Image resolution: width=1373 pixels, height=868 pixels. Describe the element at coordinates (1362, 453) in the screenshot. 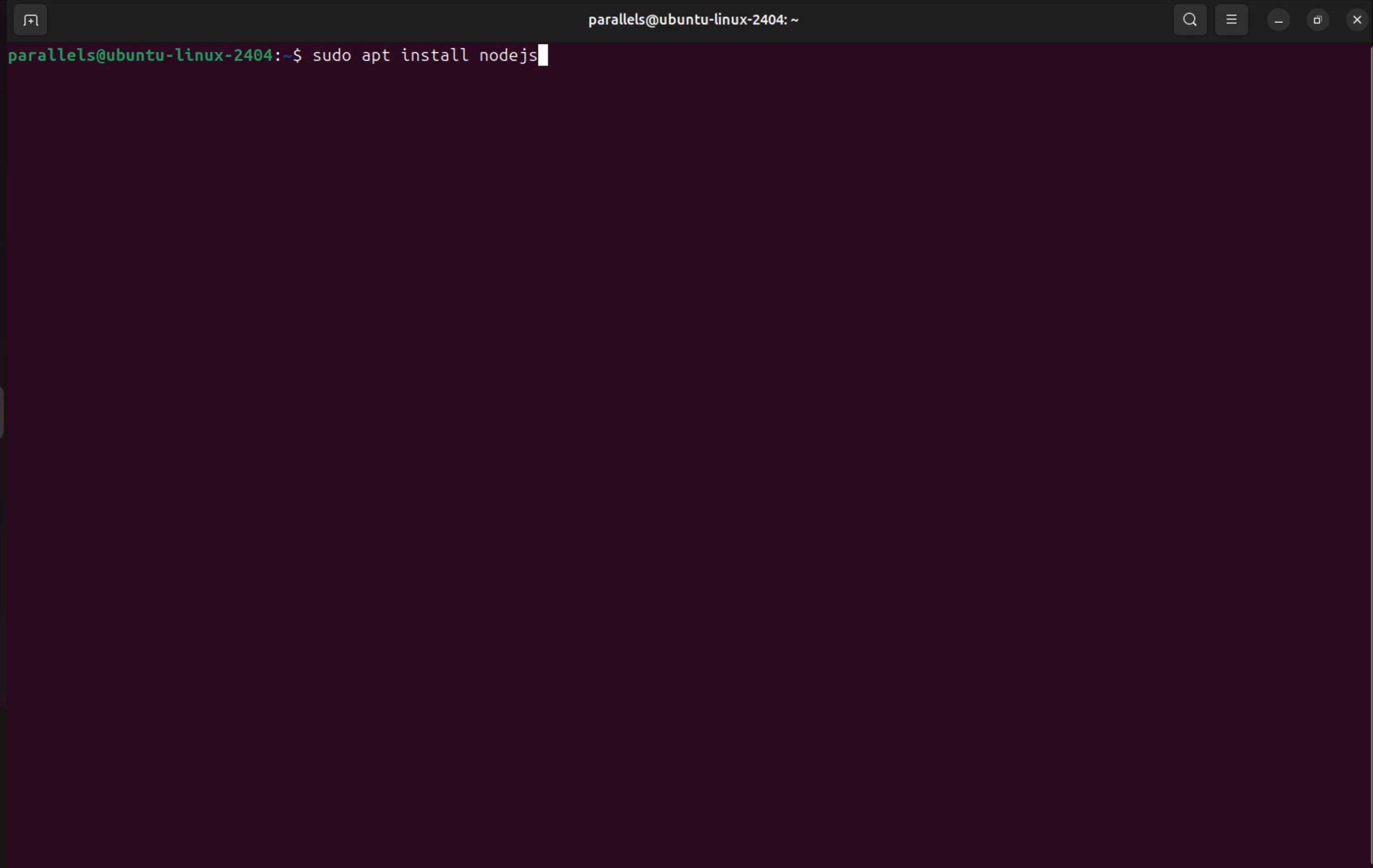

I see `Scroll bar` at that location.